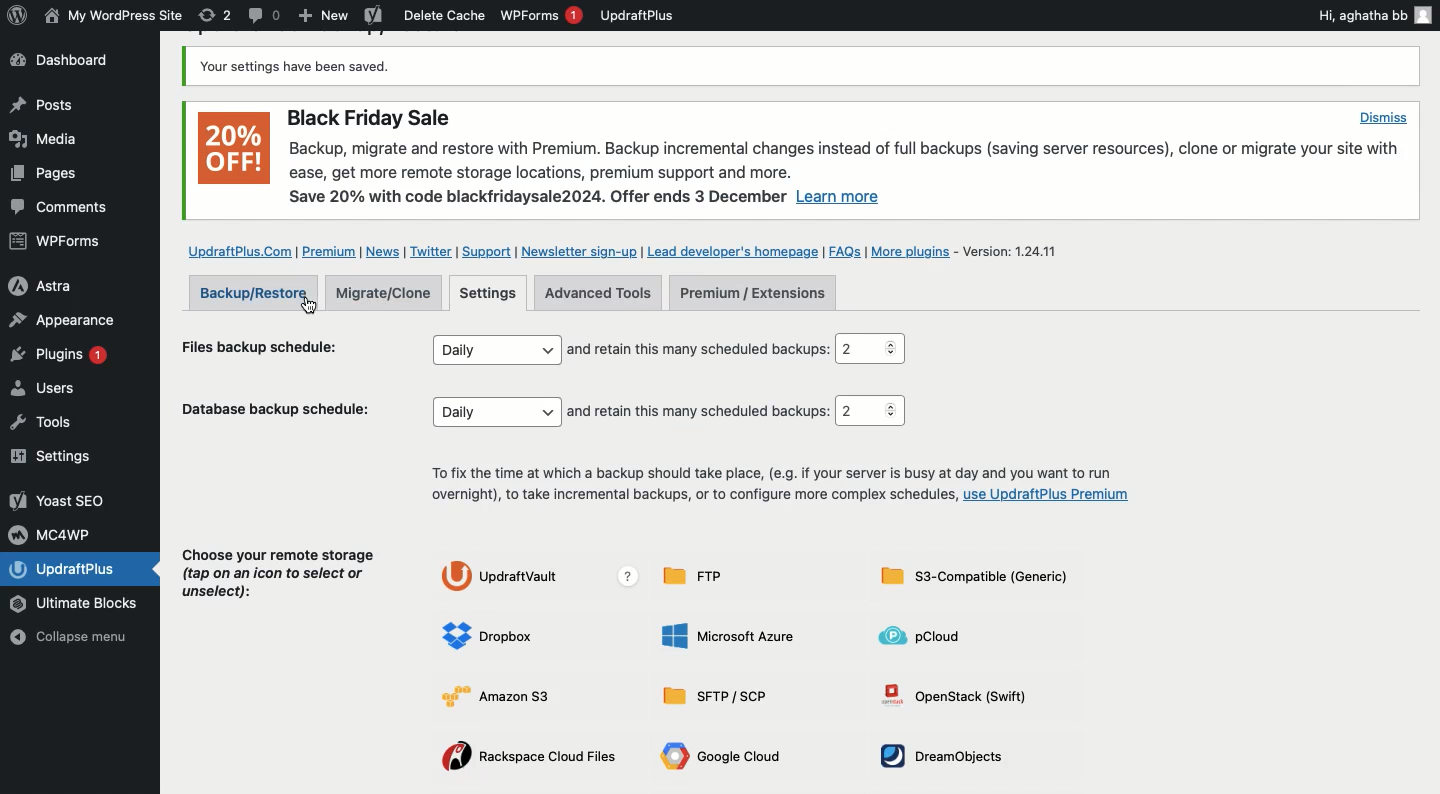  I want to click on Advanced tools, so click(597, 292).